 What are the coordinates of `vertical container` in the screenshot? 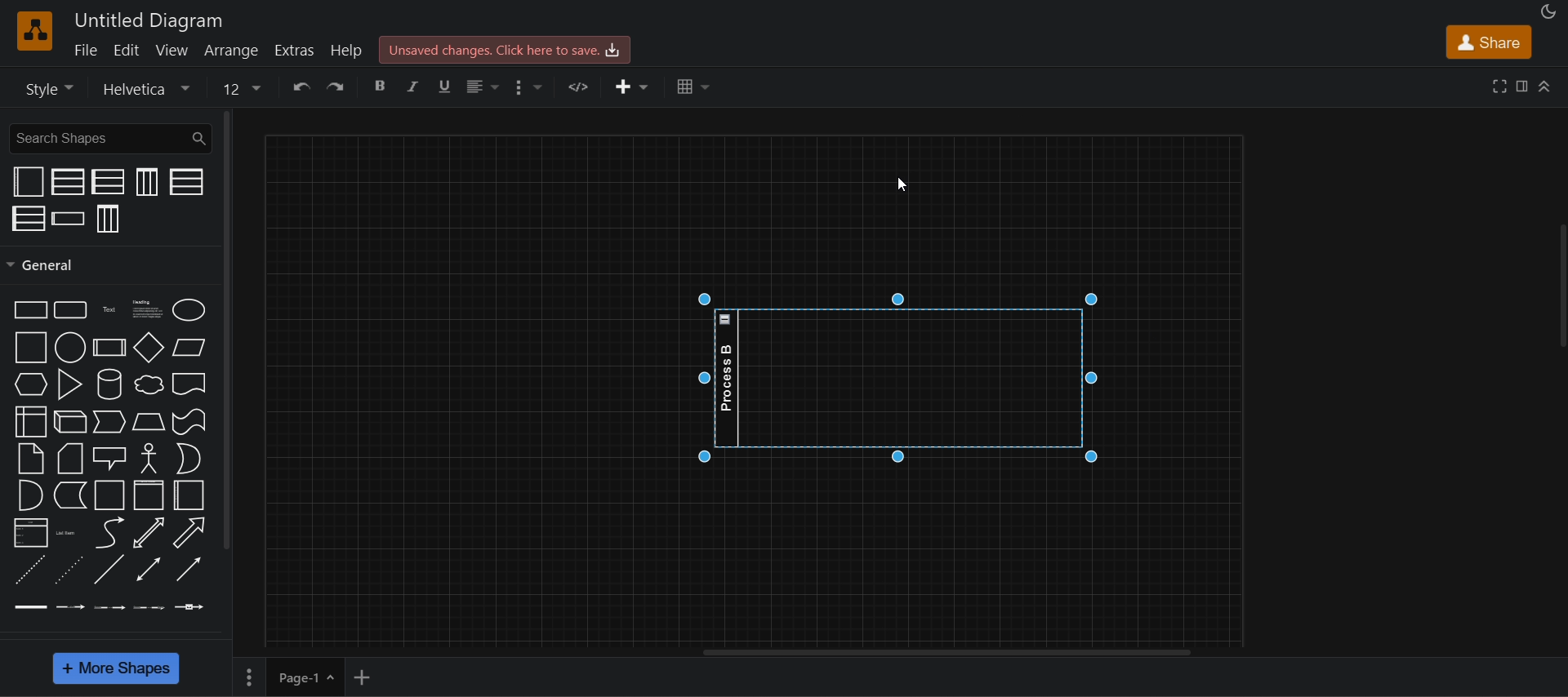 It's located at (149, 495).